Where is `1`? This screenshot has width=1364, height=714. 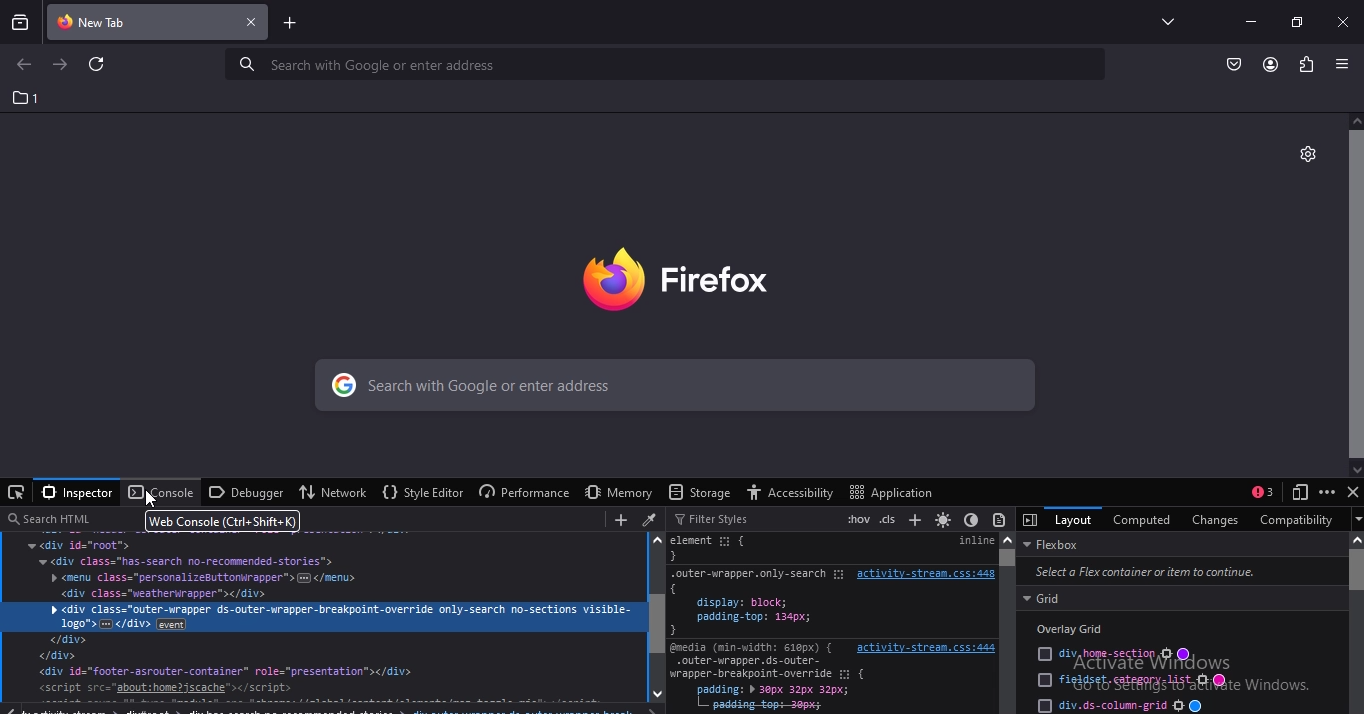 1 is located at coordinates (24, 97).